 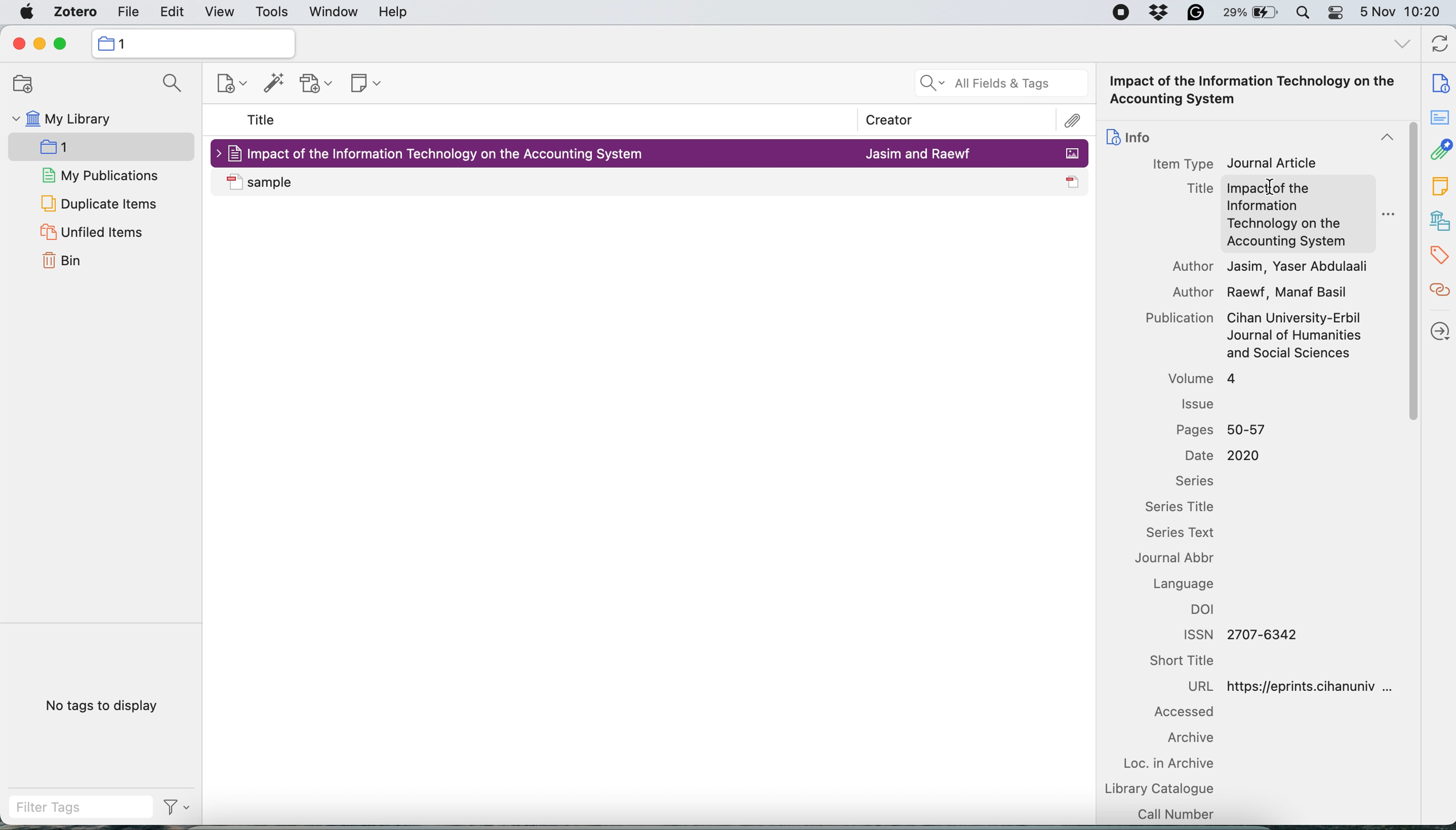 What do you see at coordinates (1113, 136) in the screenshot?
I see `icon` at bounding box center [1113, 136].